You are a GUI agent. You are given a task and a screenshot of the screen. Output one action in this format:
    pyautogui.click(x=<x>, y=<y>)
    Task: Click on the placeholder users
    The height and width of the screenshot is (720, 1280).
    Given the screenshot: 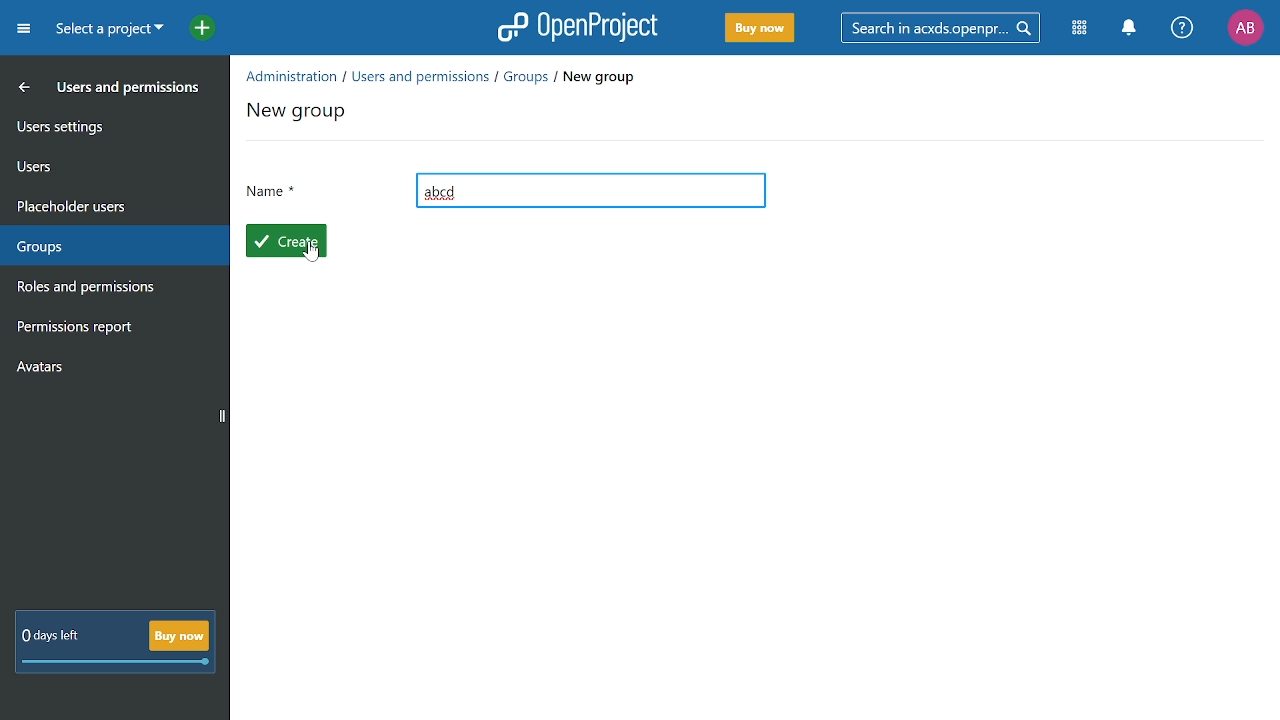 What is the action you would take?
    pyautogui.click(x=102, y=205)
    